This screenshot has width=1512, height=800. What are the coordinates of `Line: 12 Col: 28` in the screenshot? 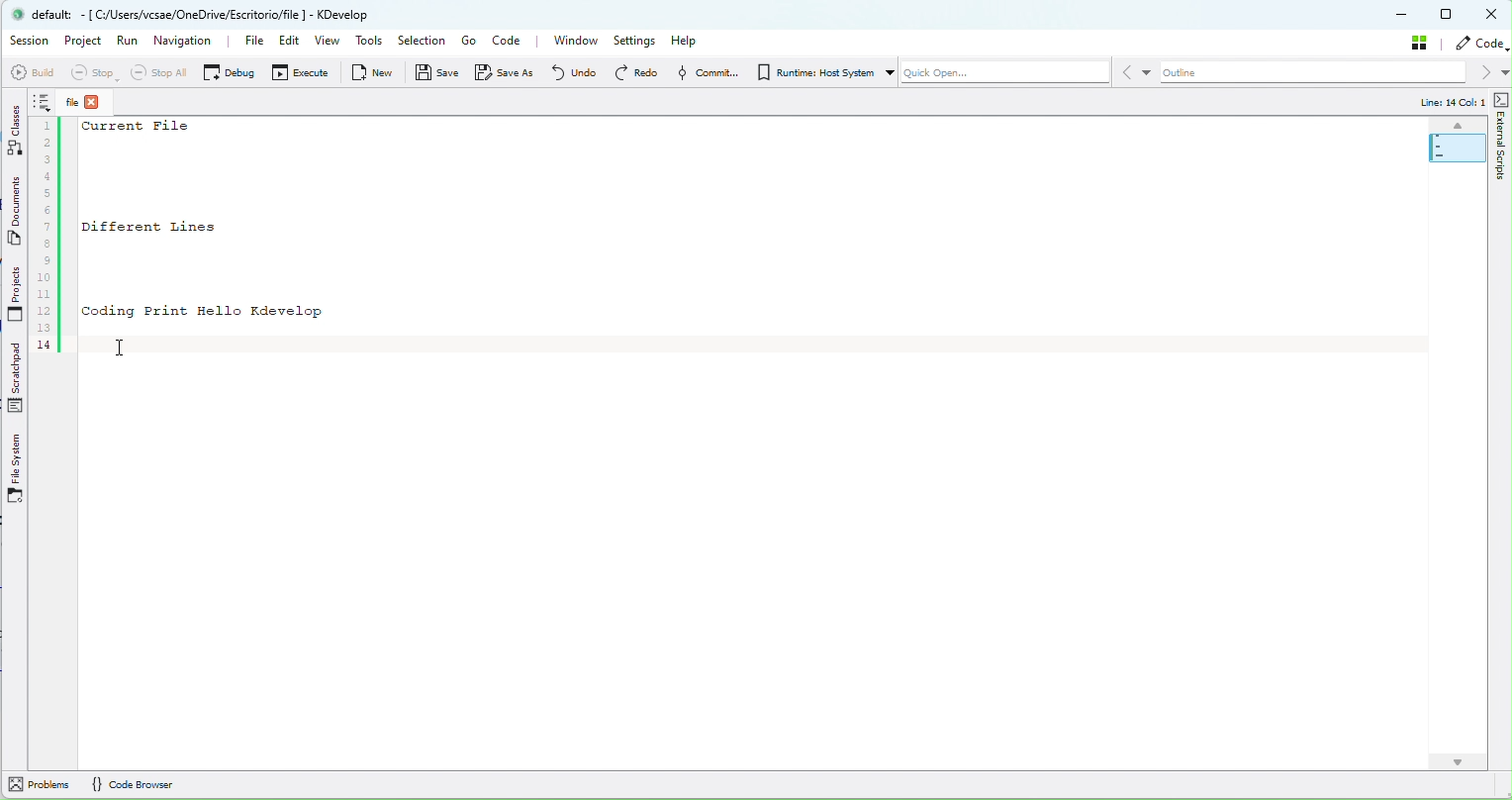 It's located at (1441, 103).